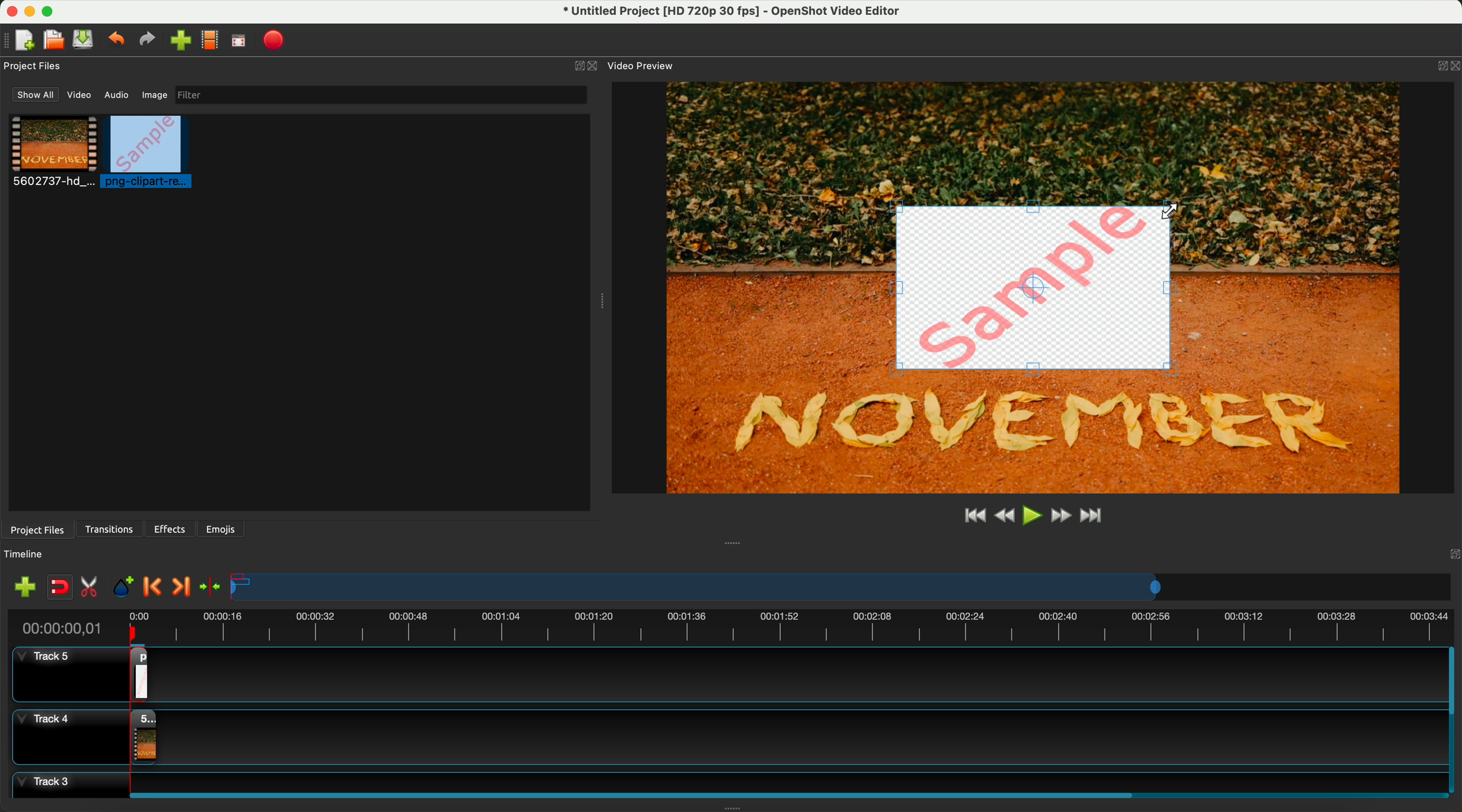 The height and width of the screenshot is (812, 1462). I want to click on fast foward, so click(1060, 517).